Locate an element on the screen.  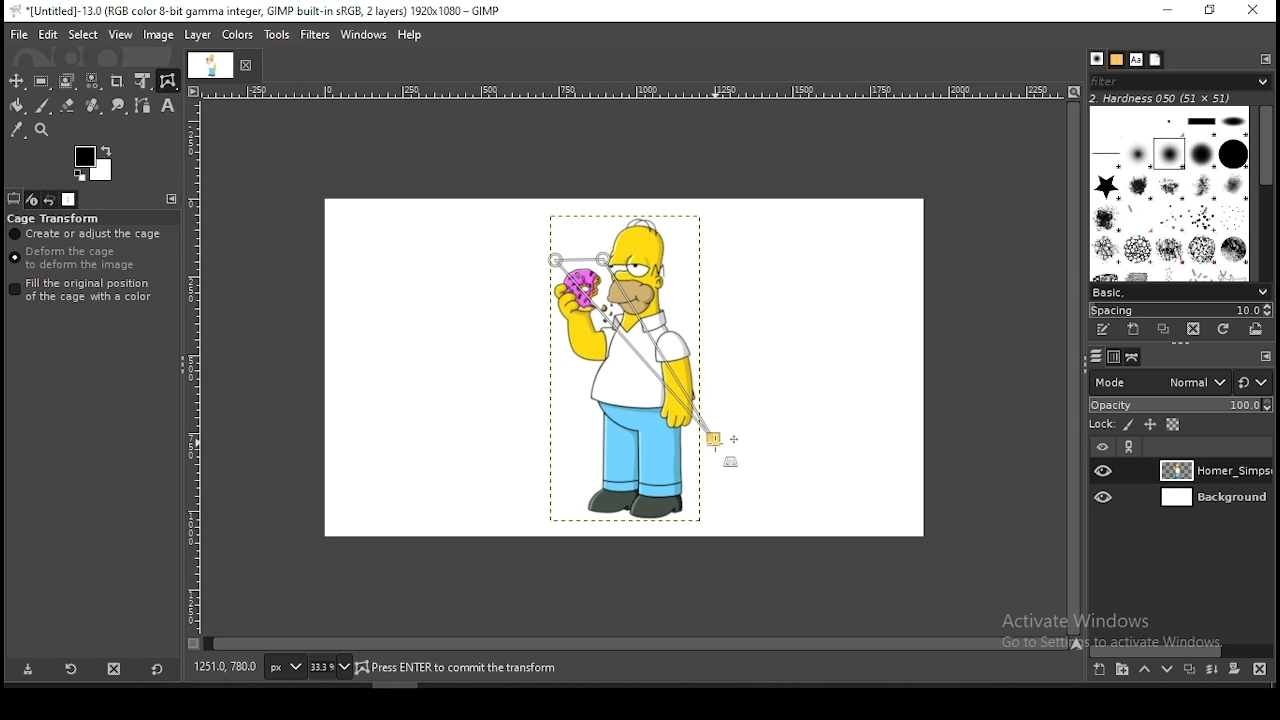
create a new brush is located at coordinates (1136, 331).